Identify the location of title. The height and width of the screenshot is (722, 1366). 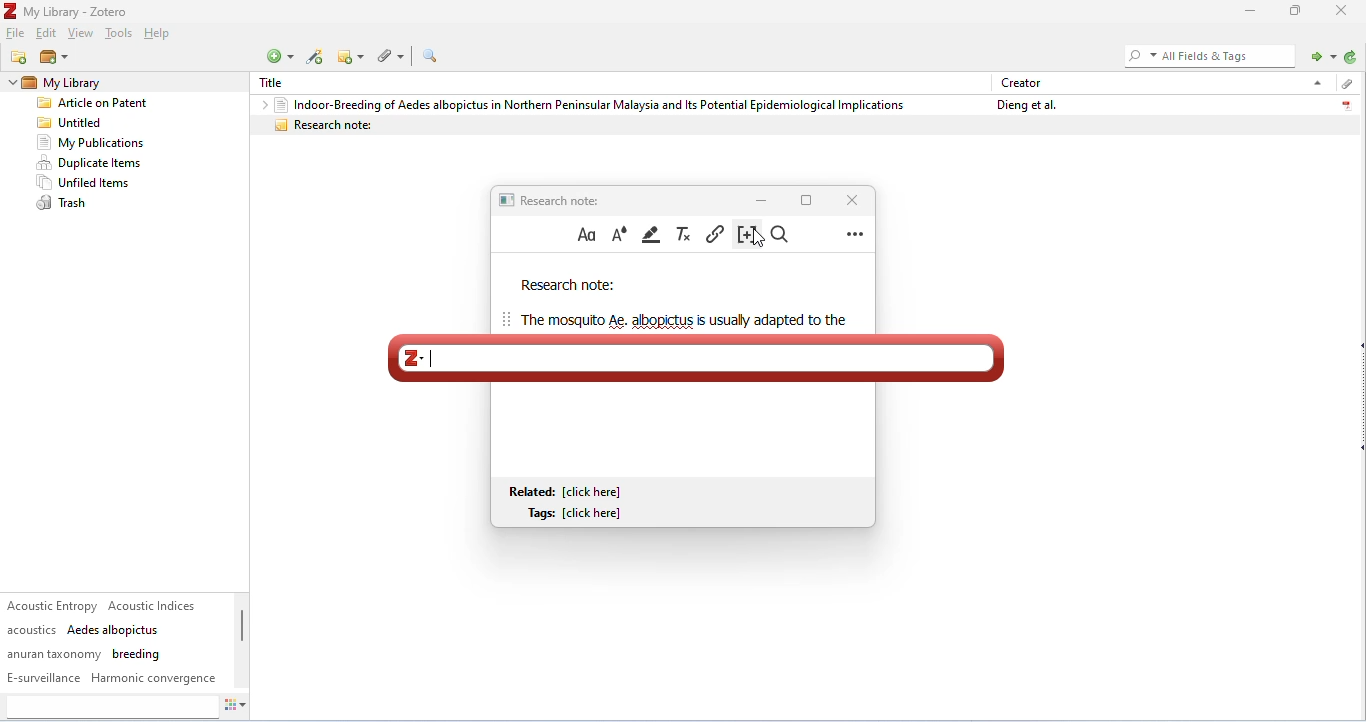
(68, 11).